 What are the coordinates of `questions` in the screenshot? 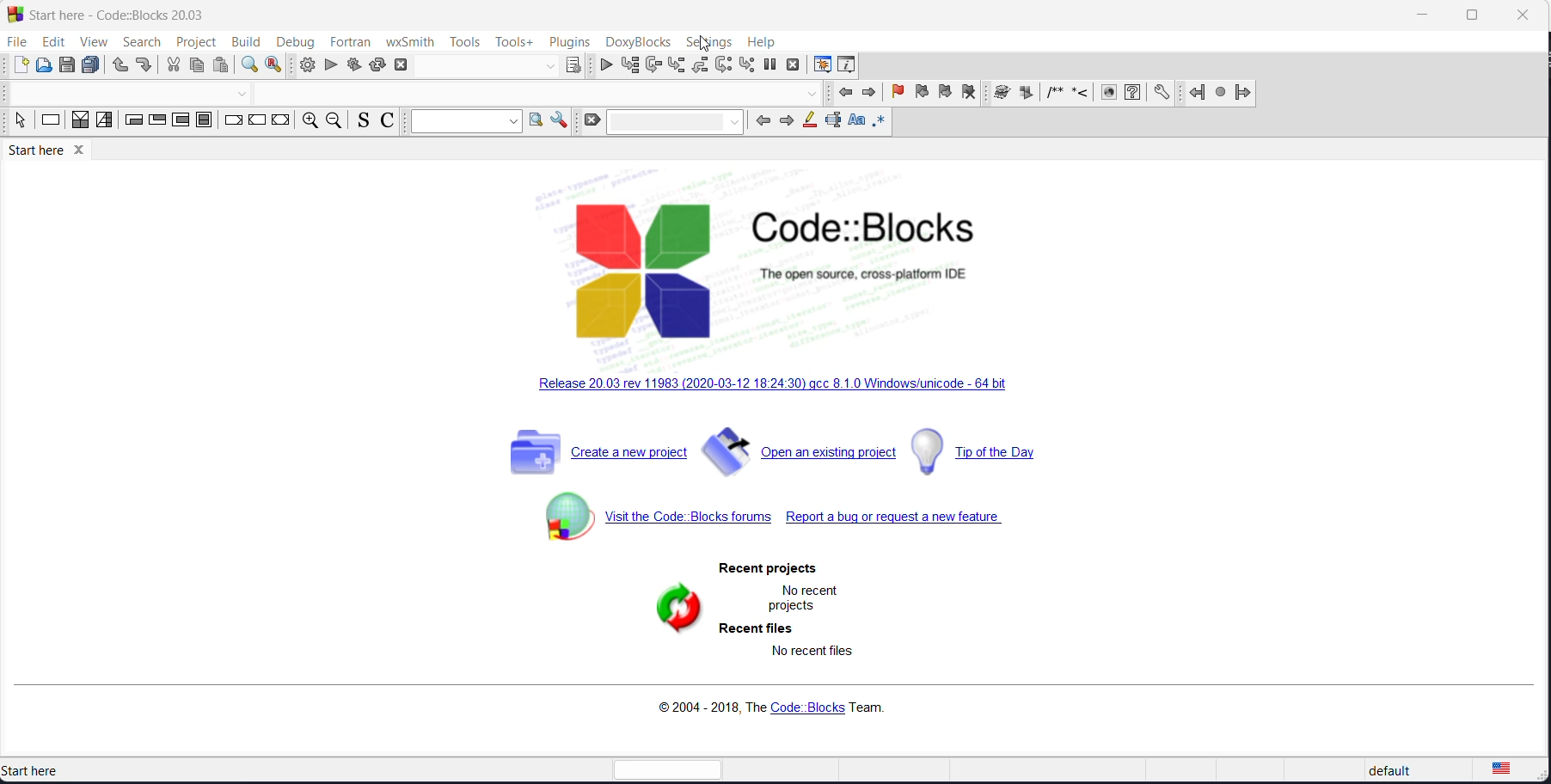 It's located at (1131, 94).